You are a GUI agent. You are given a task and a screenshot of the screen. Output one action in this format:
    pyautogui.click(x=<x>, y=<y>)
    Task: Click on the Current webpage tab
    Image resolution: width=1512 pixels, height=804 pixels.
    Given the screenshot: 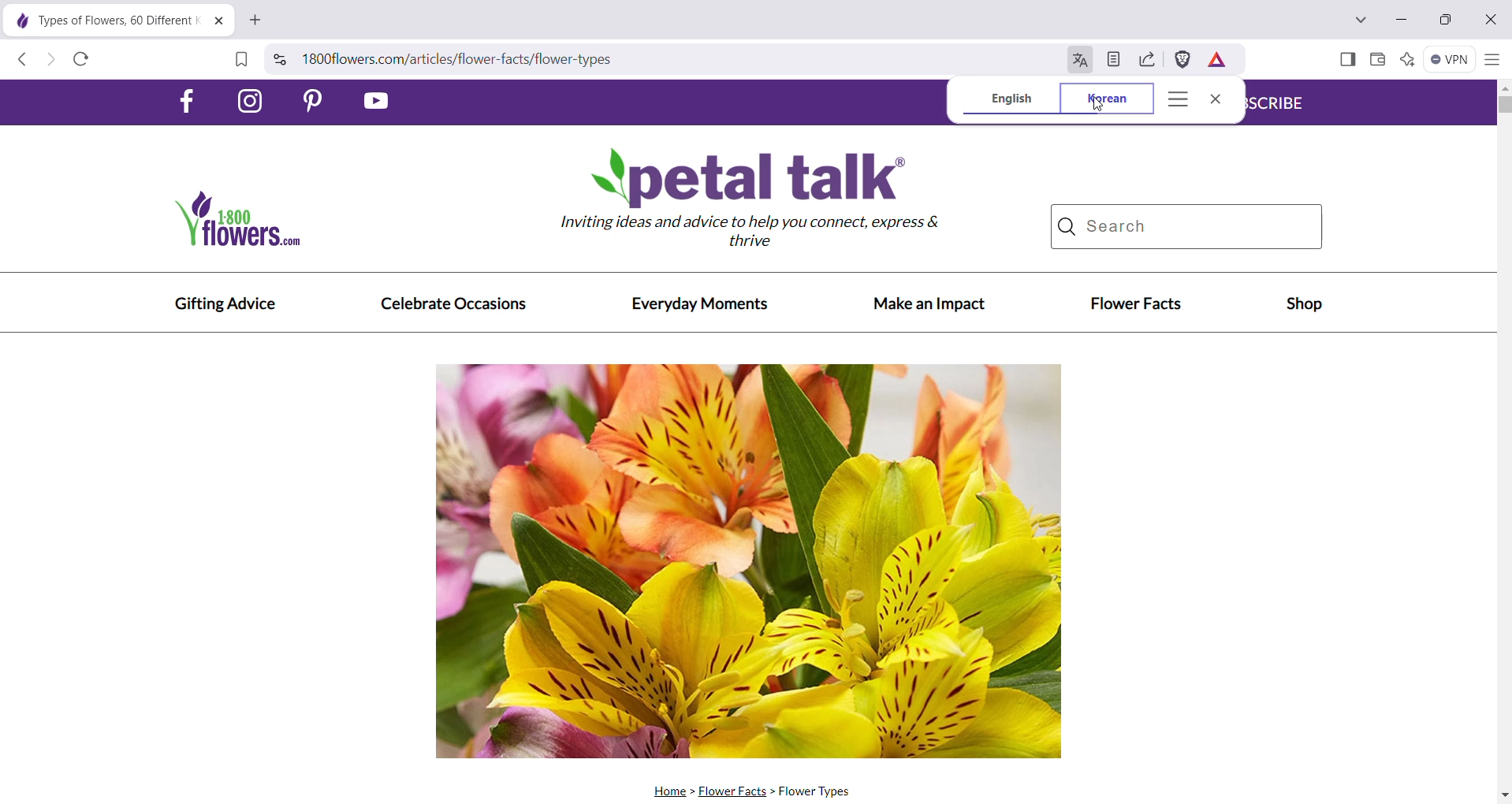 What is the action you would take?
    pyautogui.click(x=99, y=20)
    